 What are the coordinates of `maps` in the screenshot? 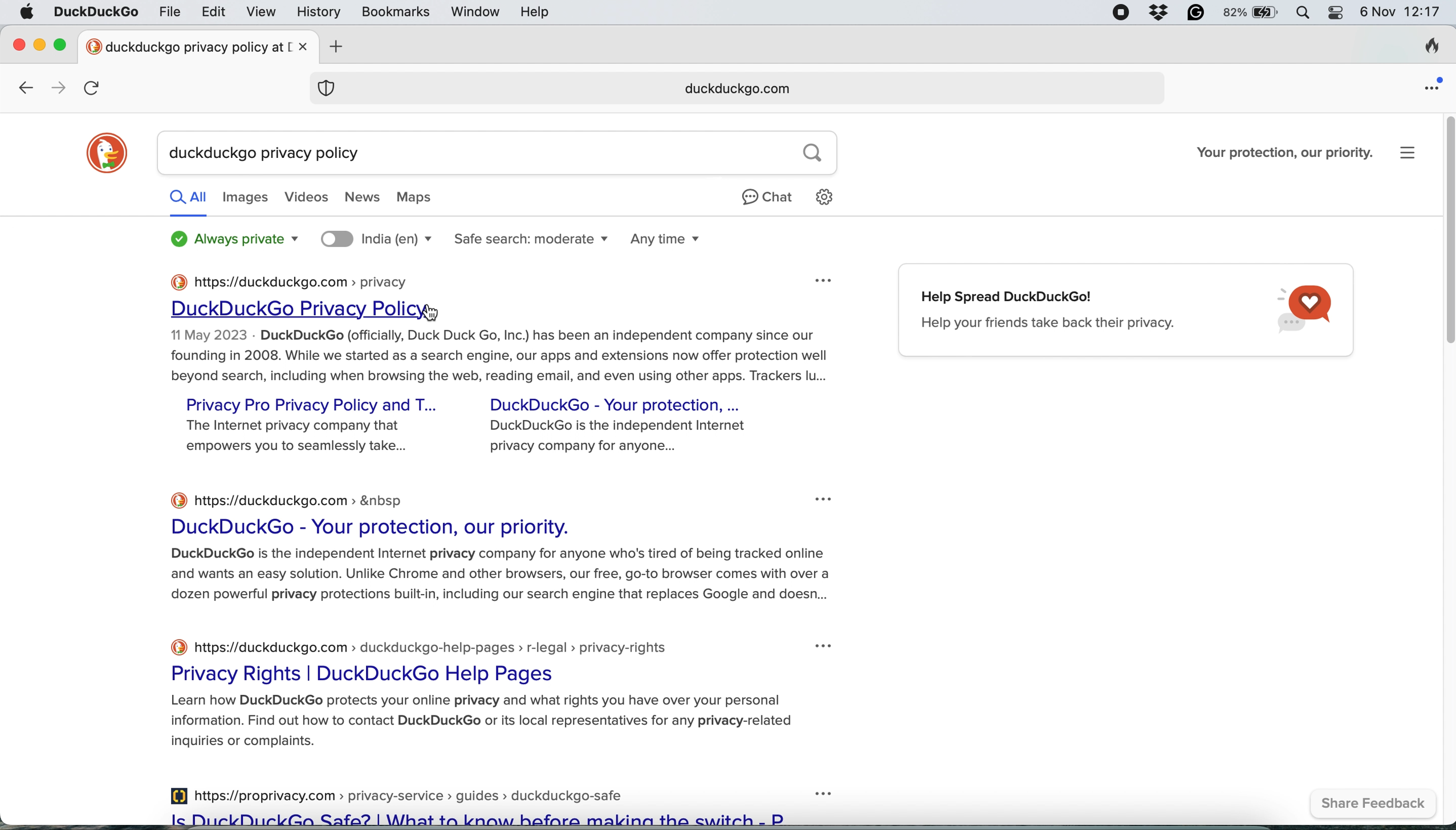 It's located at (421, 198).